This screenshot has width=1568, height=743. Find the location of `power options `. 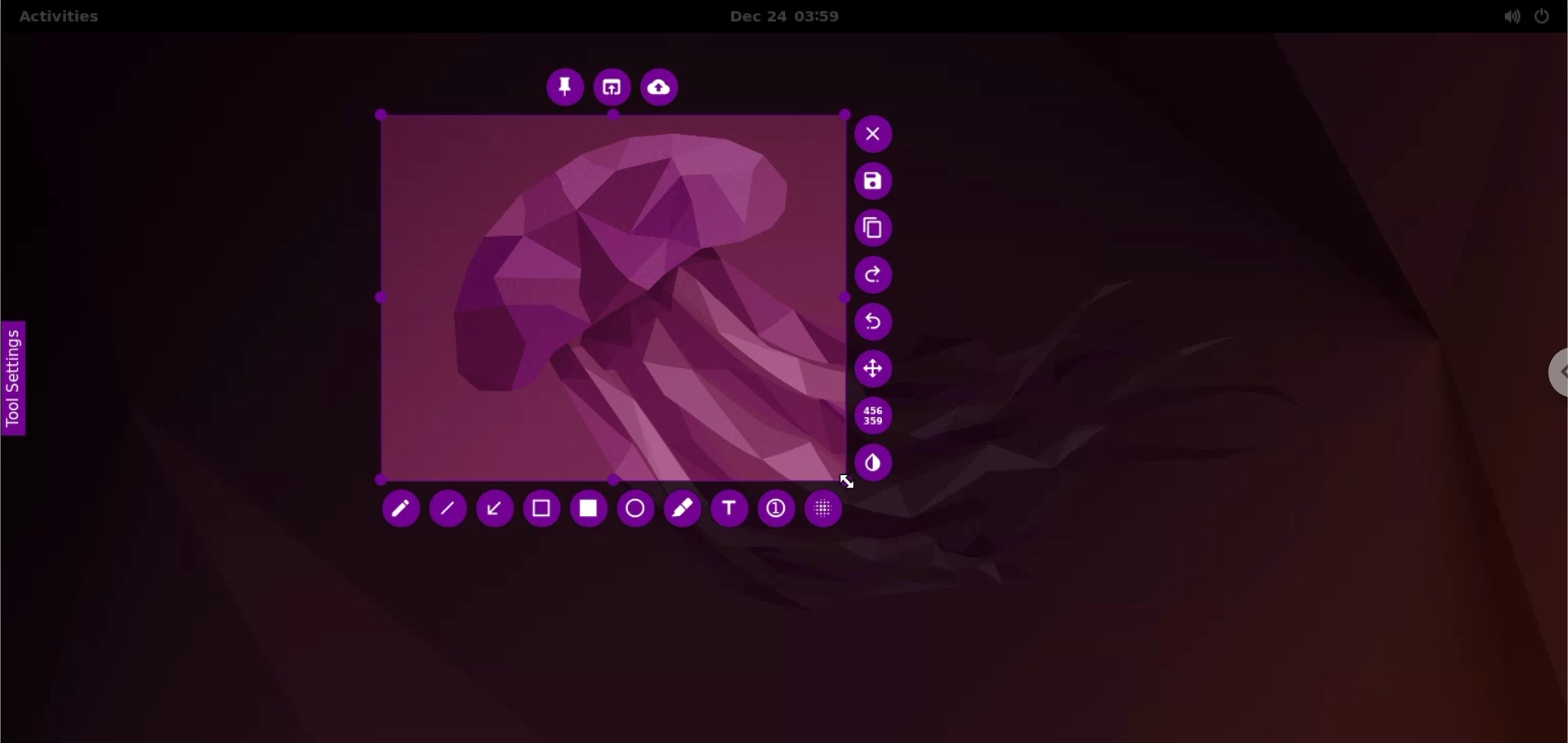

power options  is located at coordinates (1545, 15).